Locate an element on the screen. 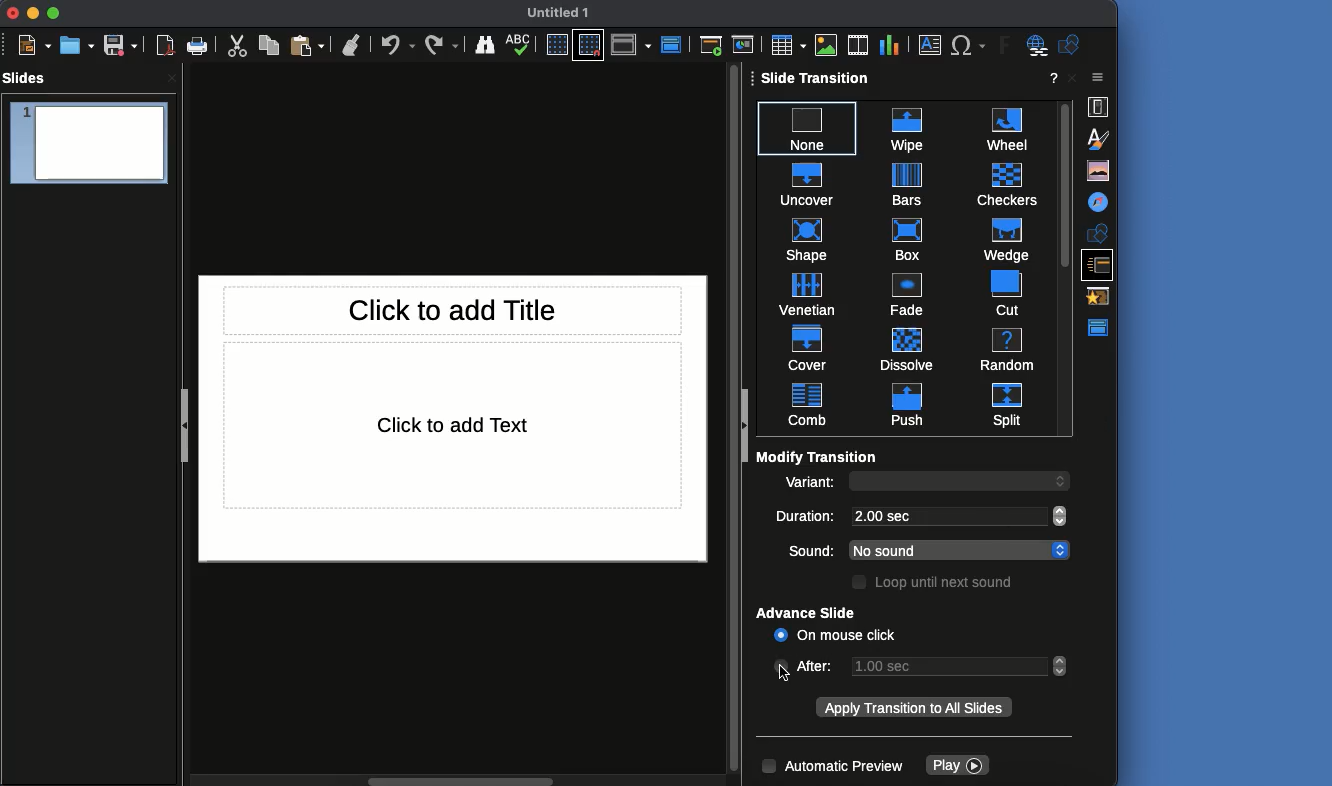 This screenshot has width=1332, height=786. Minimize is located at coordinates (35, 14).